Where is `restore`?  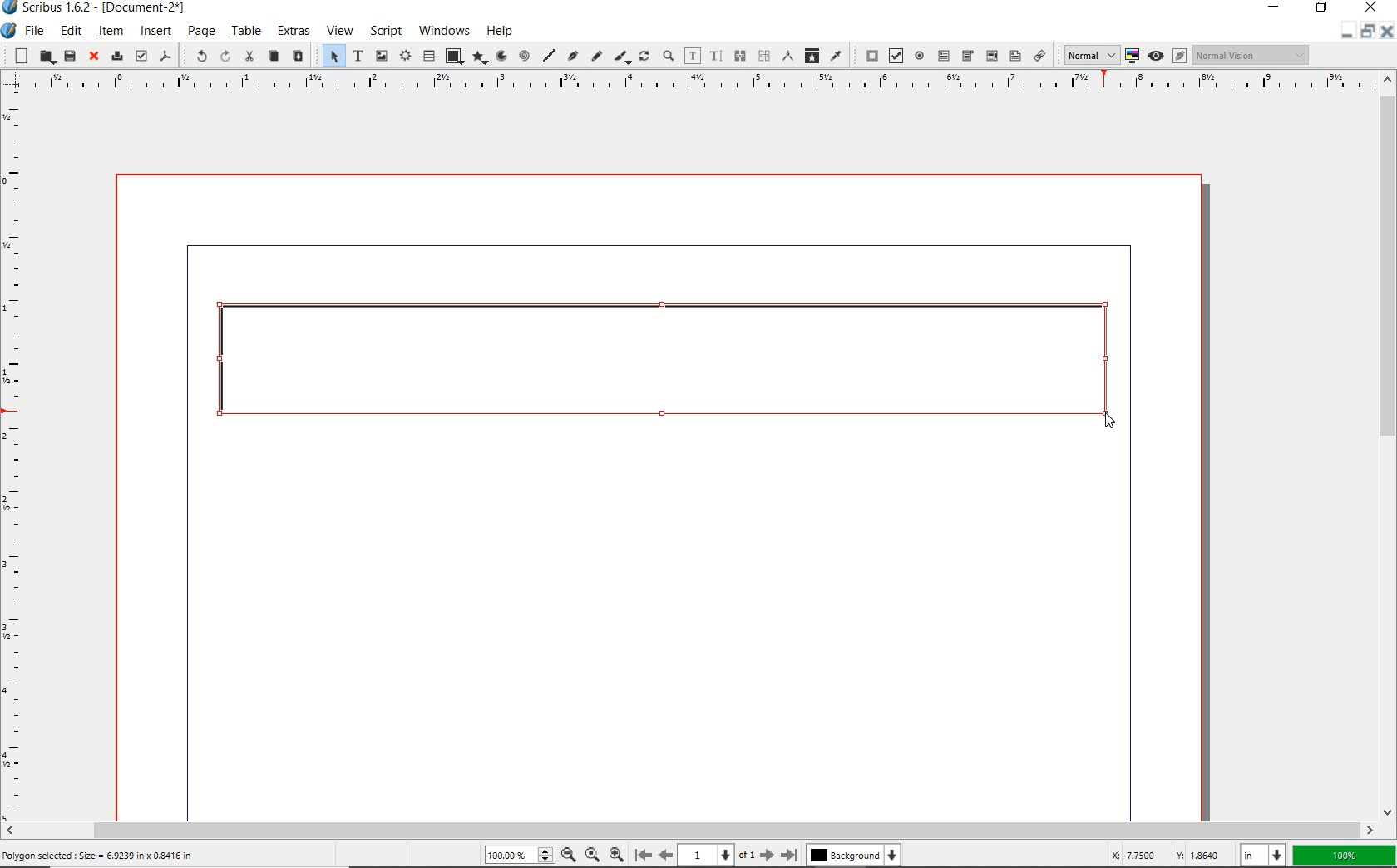
restore is located at coordinates (1368, 35).